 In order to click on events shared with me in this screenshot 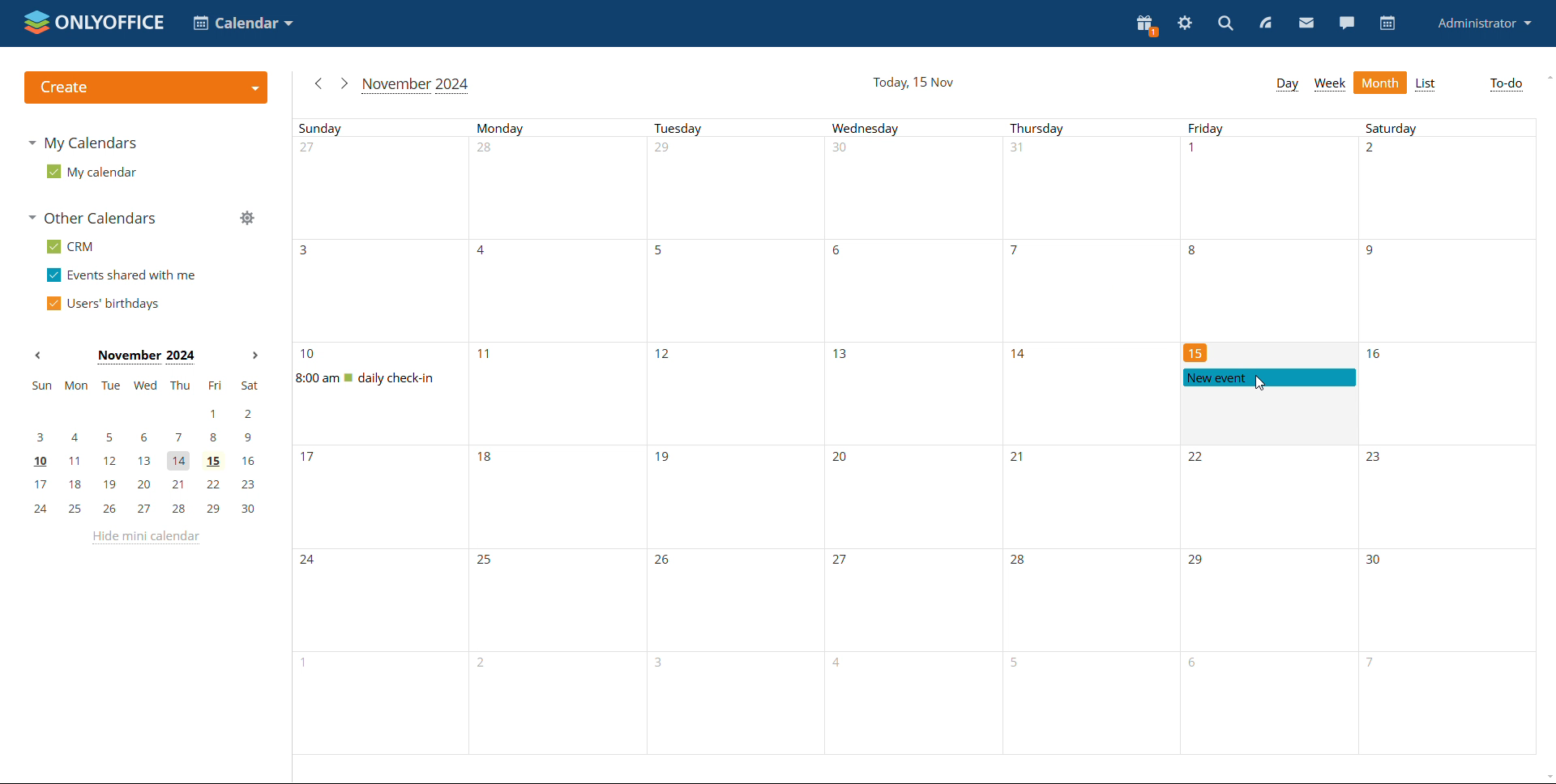, I will do `click(121, 275)`.